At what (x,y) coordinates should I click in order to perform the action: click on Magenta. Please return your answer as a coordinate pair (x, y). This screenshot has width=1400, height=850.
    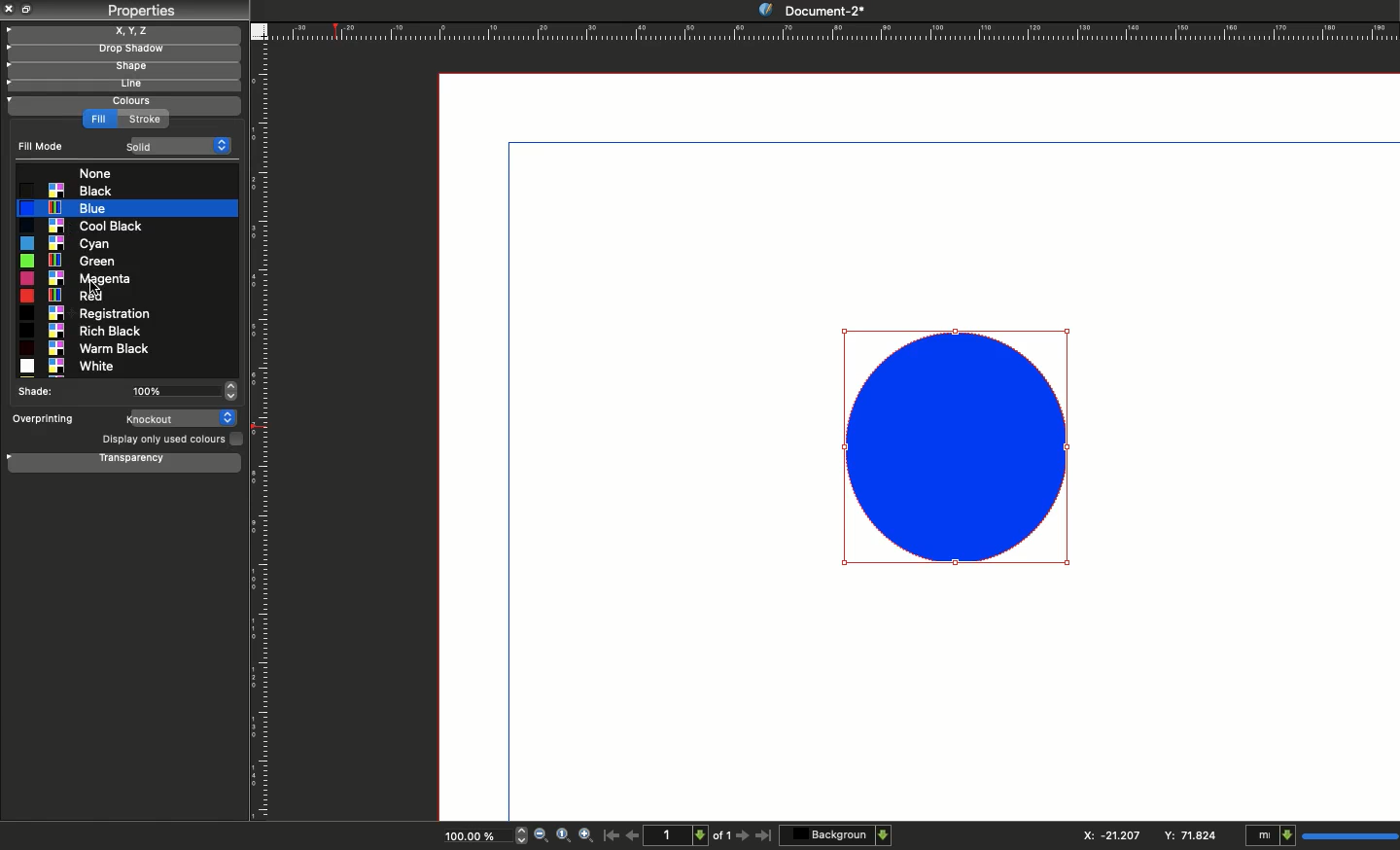
    Looking at the image, I should click on (76, 278).